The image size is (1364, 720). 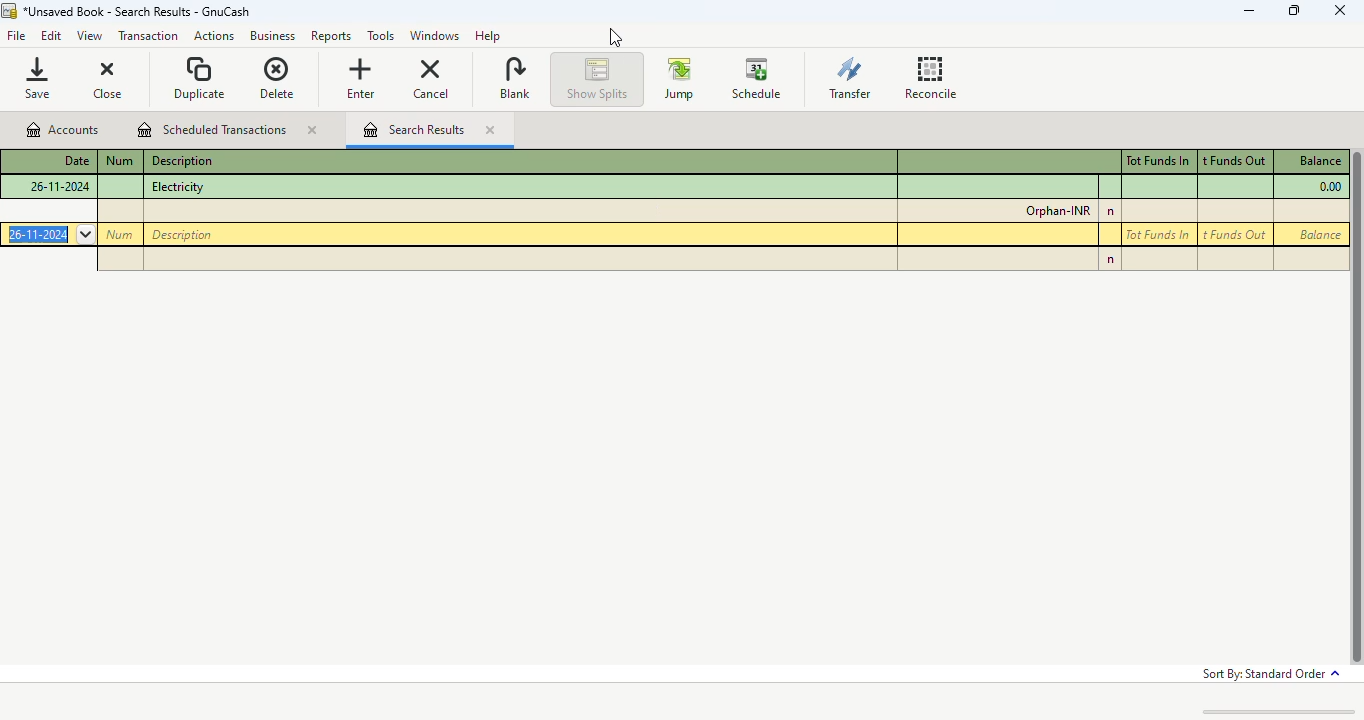 What do you see at coordinates (311, 130) in the screenshot?
I see `close tab` at bounding box center [311, 130].